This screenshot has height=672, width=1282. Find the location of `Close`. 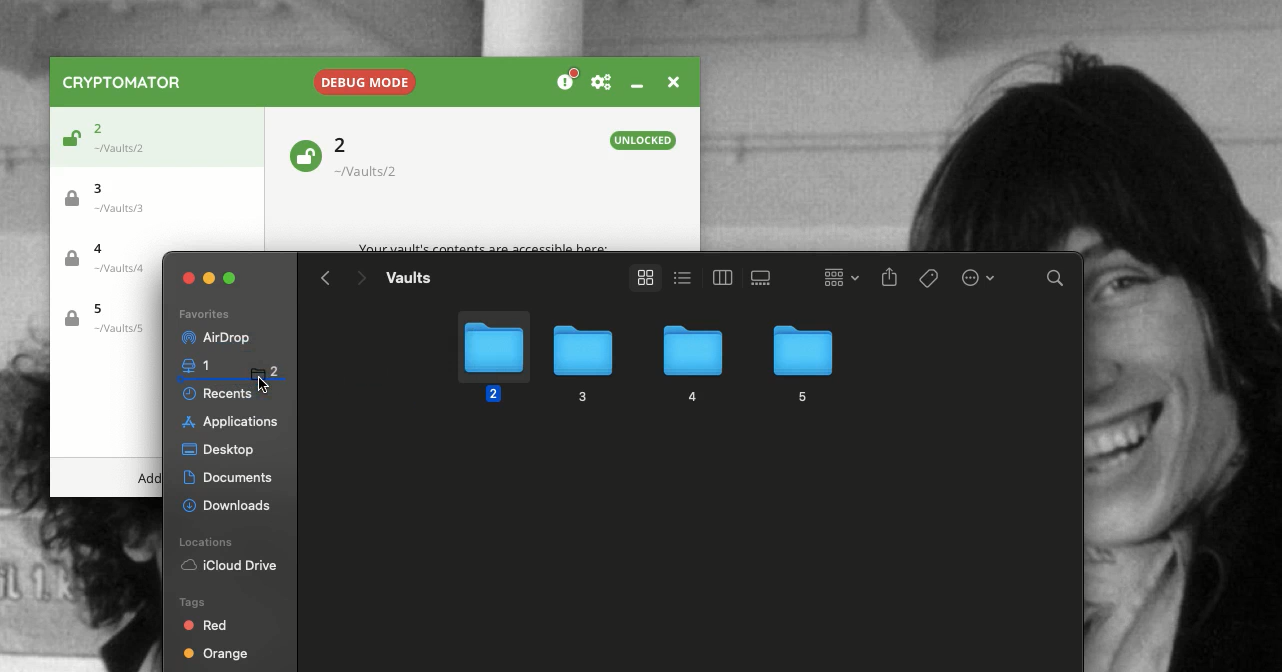

Close is located at coordinates (189, 278).